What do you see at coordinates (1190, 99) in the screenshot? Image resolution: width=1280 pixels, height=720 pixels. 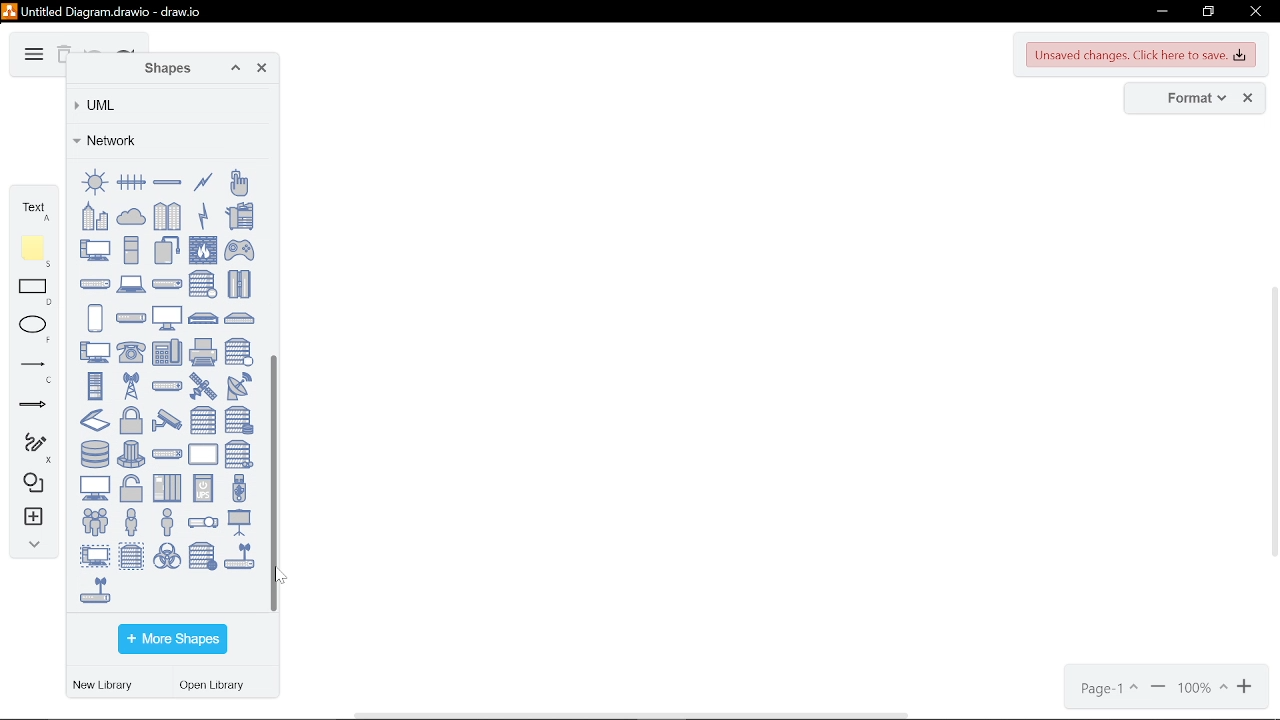 I see `format` at bounding box center [1190, 99].